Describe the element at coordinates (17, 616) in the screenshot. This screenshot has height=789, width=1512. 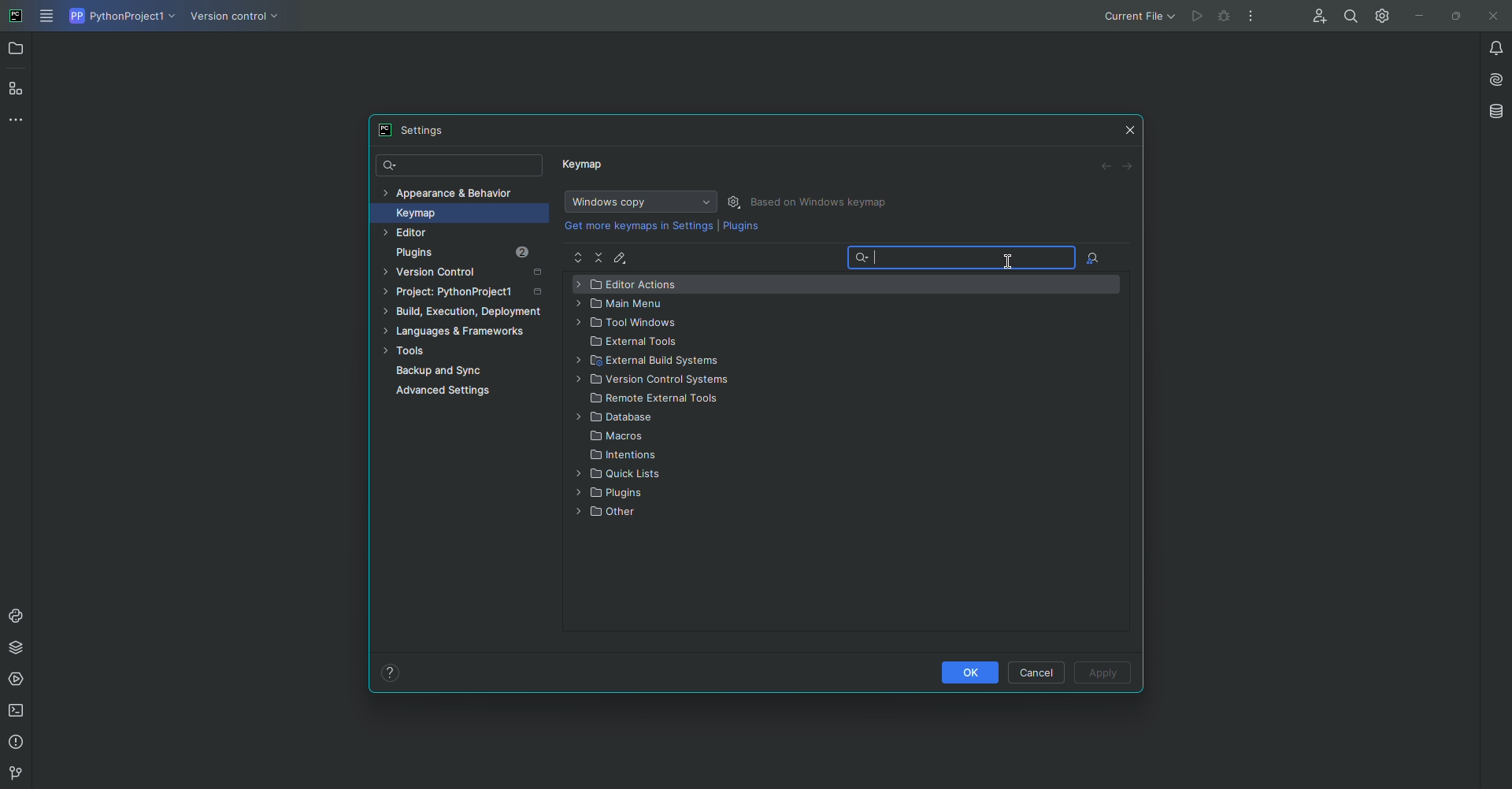
I see `Console` at that location.